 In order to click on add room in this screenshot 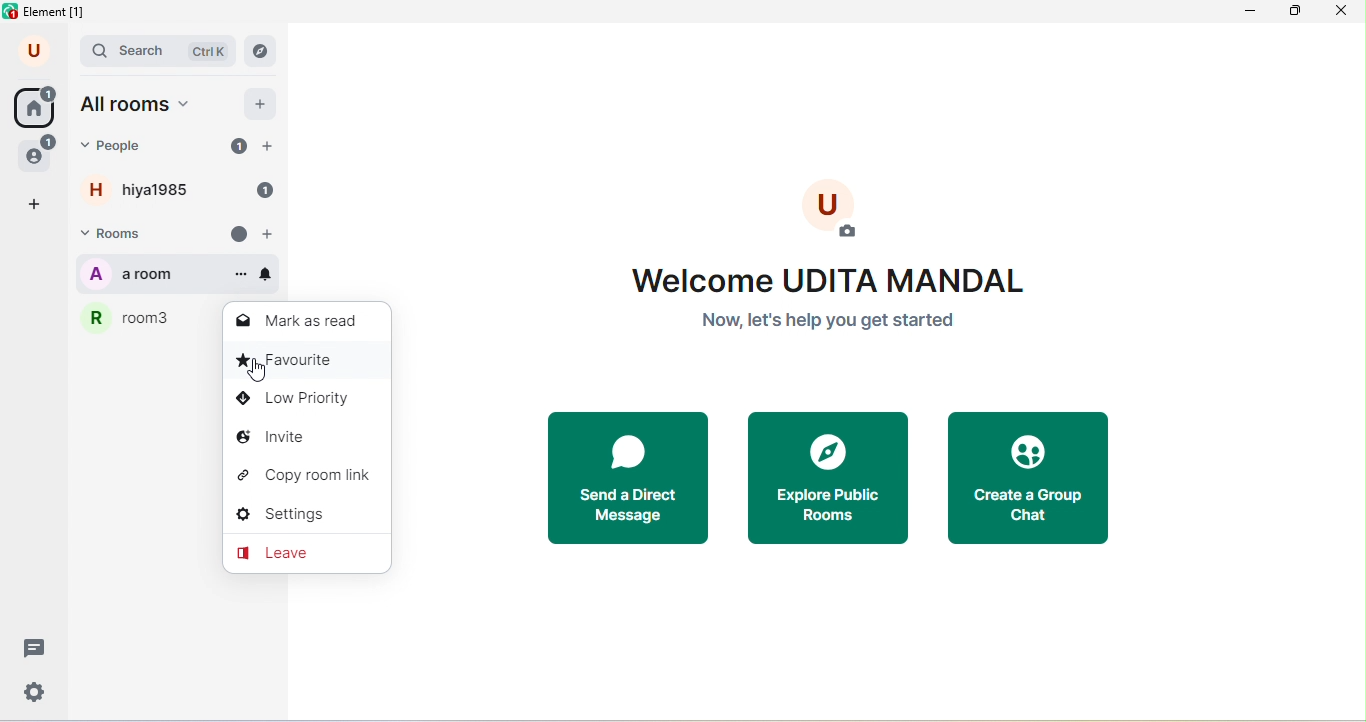, I will do `click(271, 235)`.